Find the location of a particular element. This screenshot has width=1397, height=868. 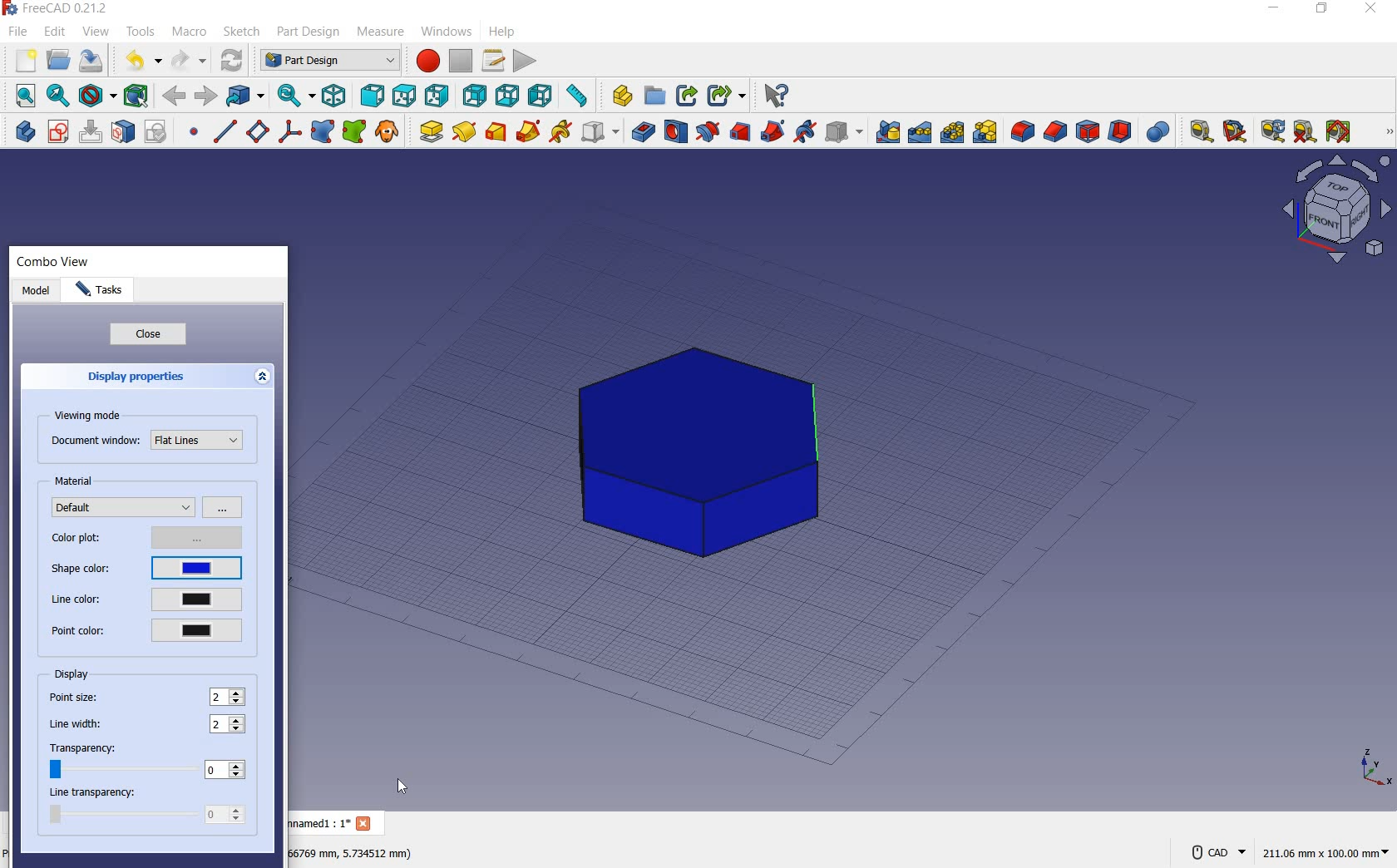

options is located at coordinates (224, 506).